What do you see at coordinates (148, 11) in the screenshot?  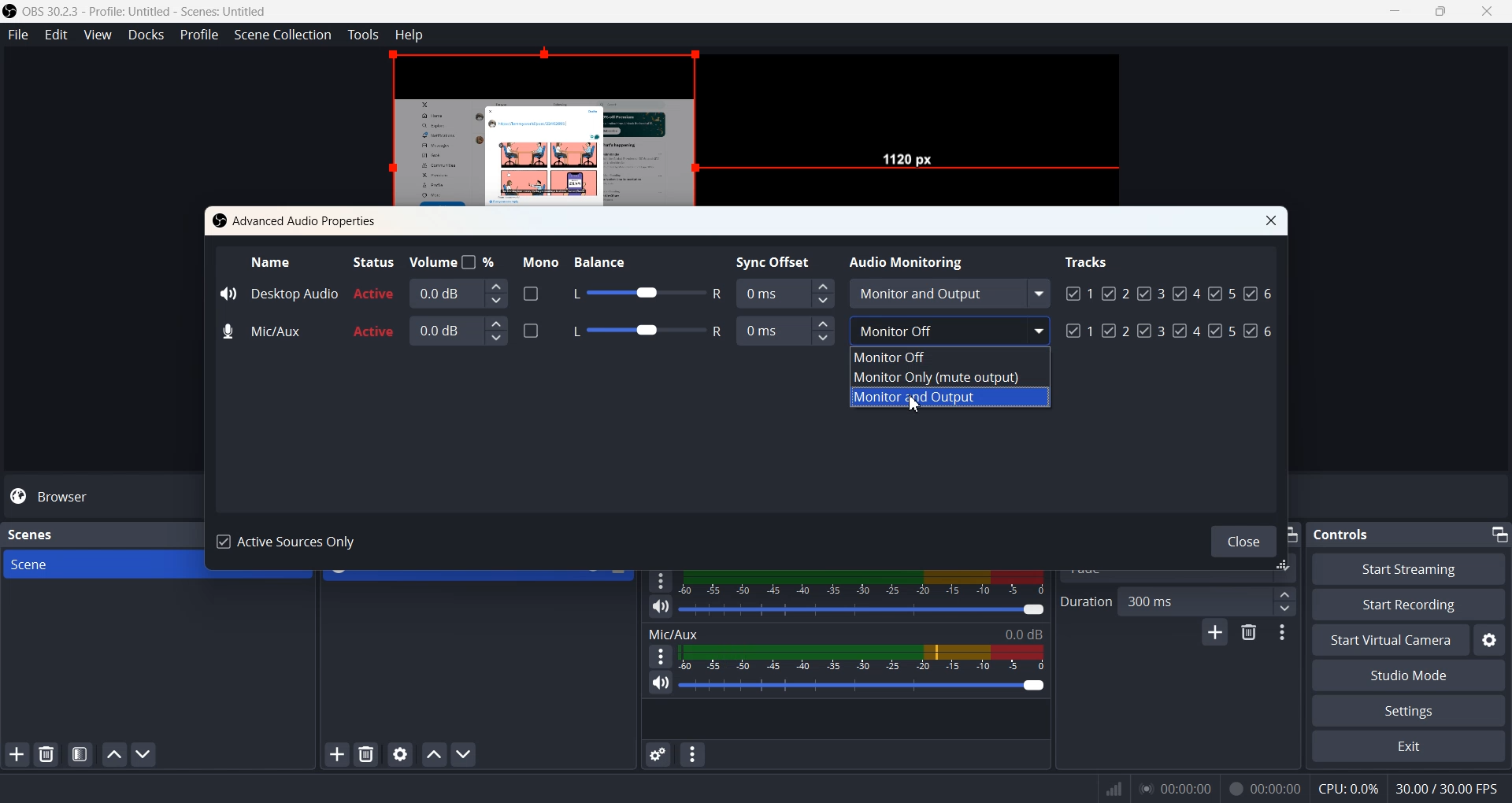 I see `‘OBS 30.2.3 - Profile: Untitled - Scenes: Untitled` at bounding box center [148, 11].